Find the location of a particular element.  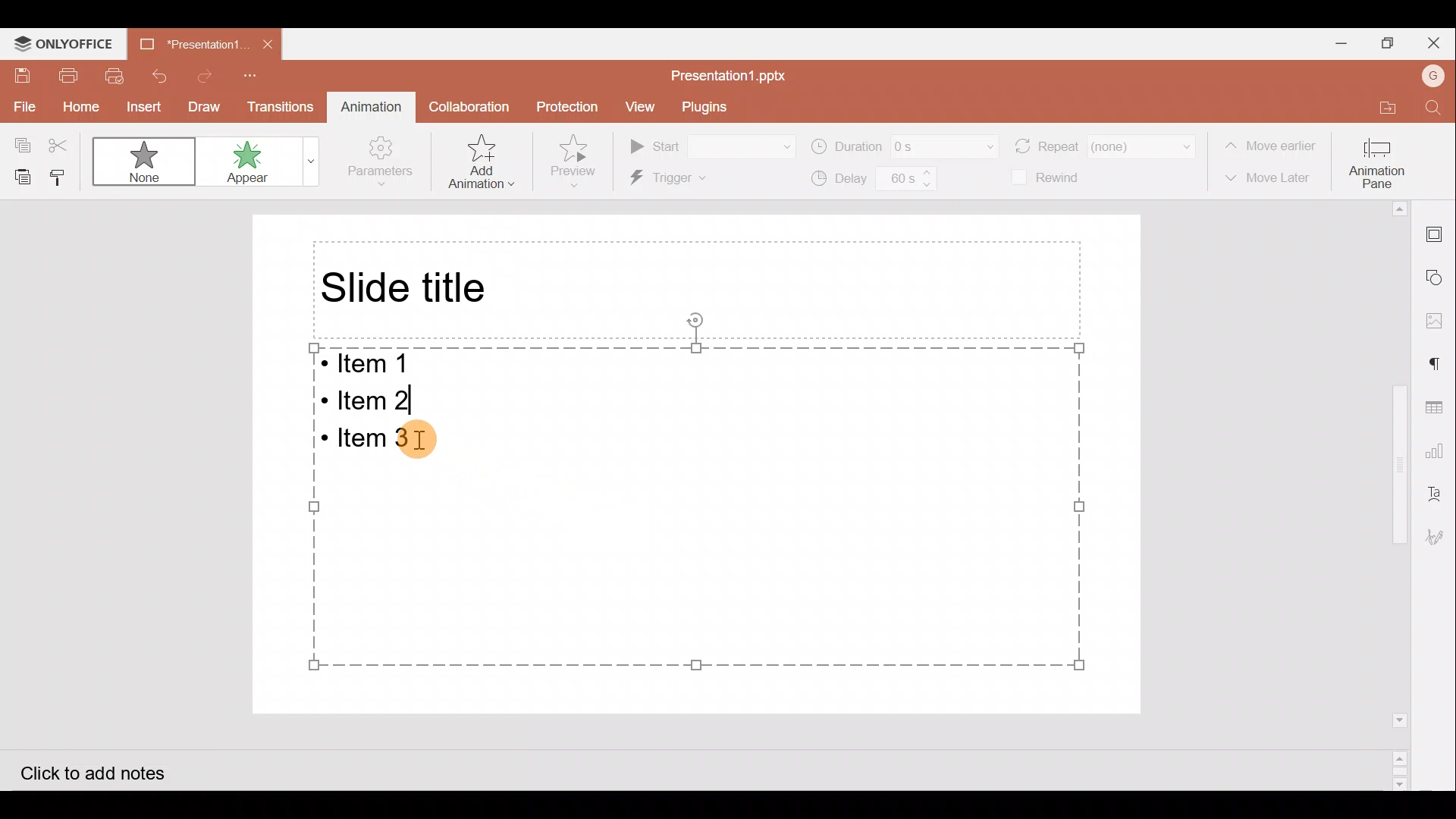

Duration is located at coordinates (904, 145).